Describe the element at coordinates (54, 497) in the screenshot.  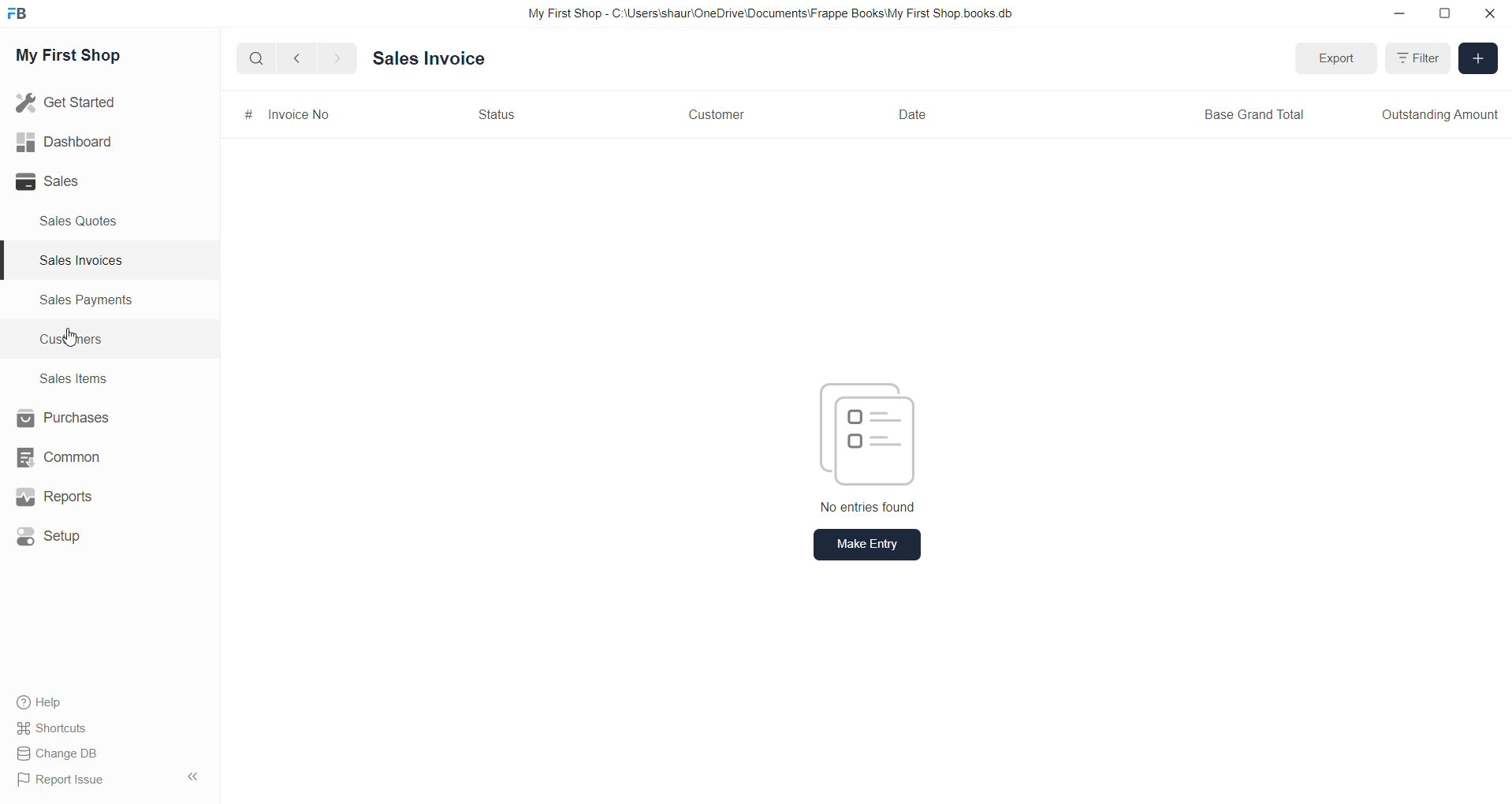
I see `Reports` at that location.